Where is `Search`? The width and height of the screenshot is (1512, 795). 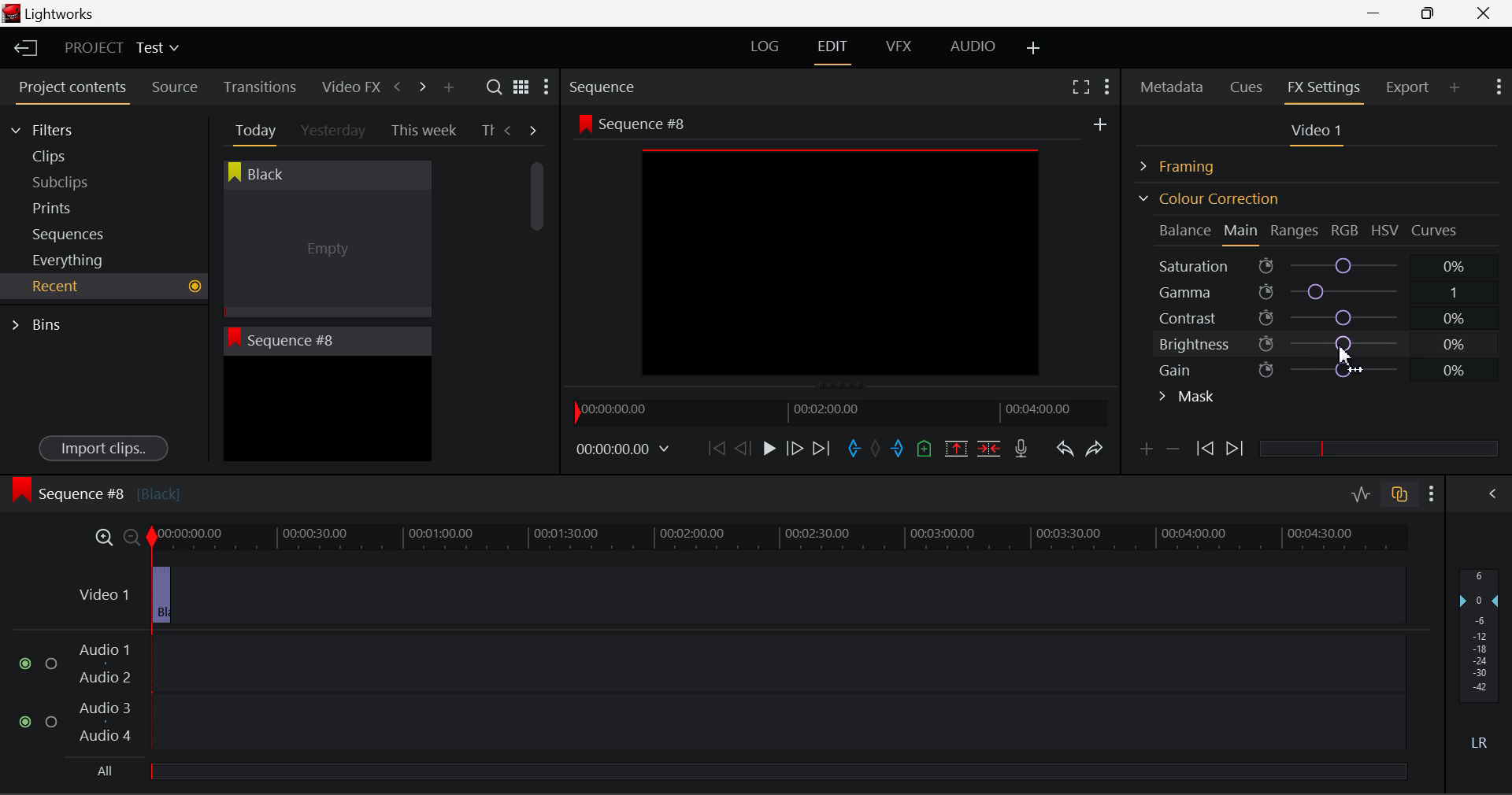
Search is located at coordinates (496, 87).